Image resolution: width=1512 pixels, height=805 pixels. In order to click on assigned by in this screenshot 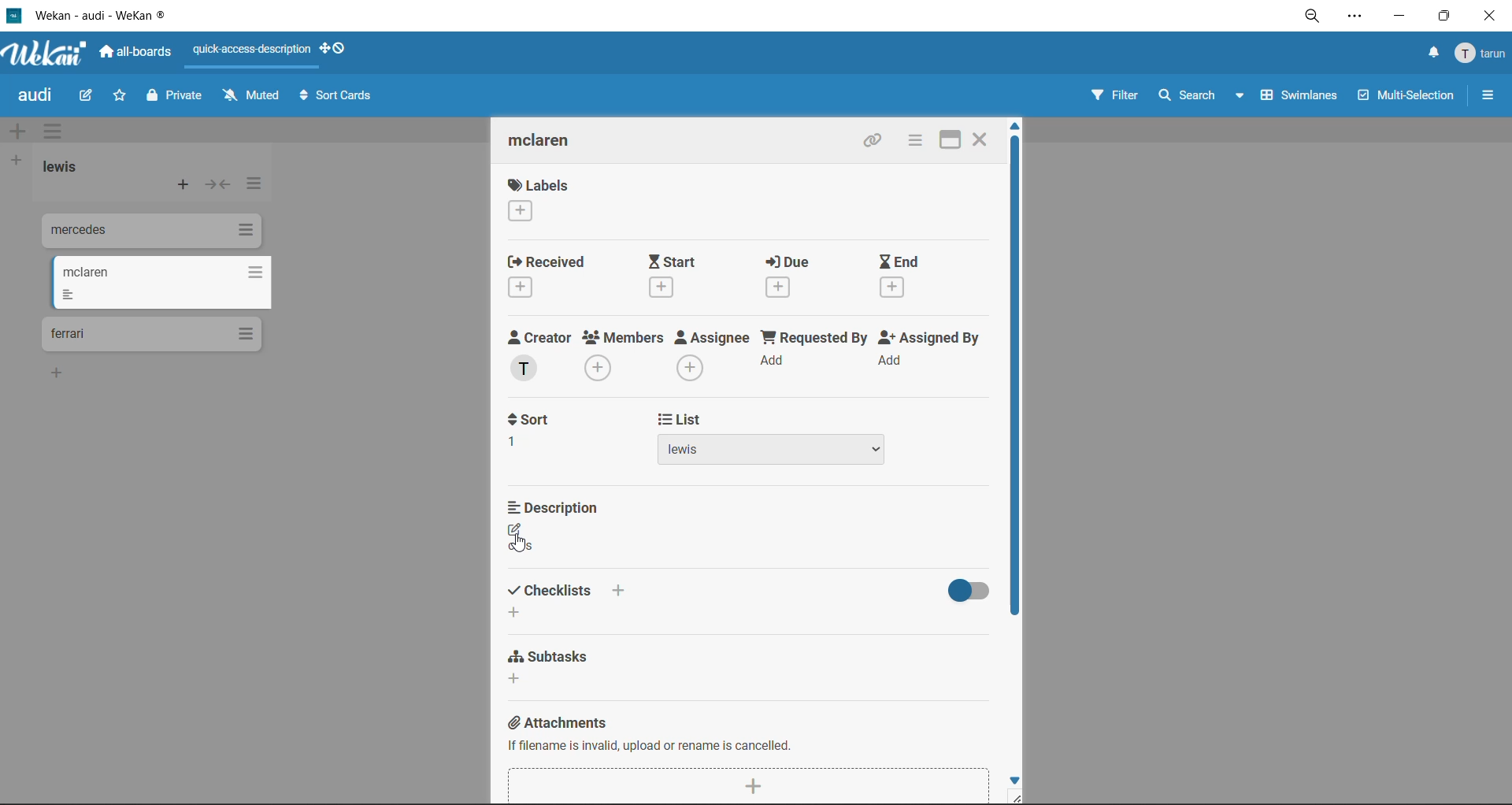, I will do `click(935, 353)`.